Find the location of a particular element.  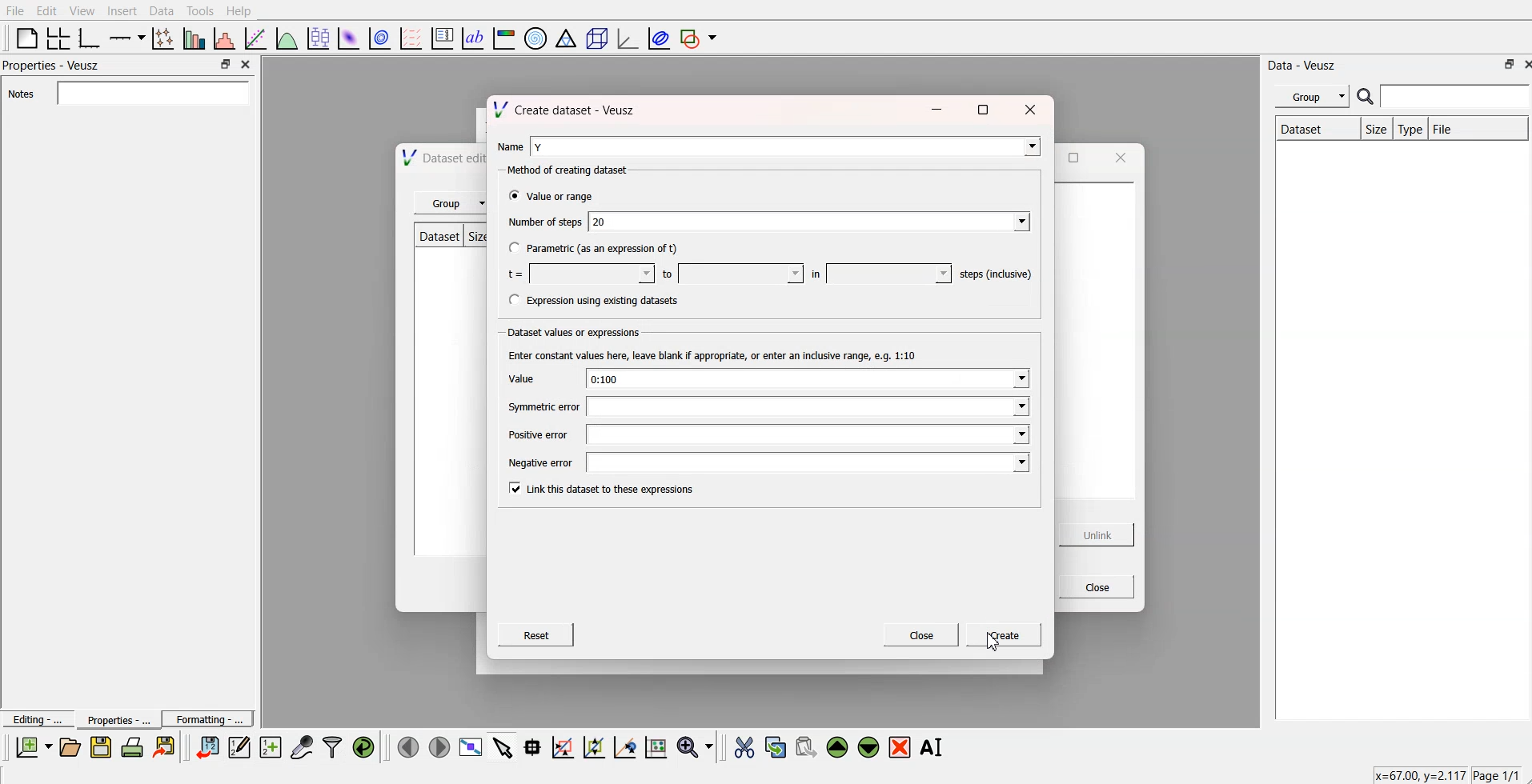

Enter constant values here, leave blank if appropriate, or enter an inclusive range, e.g. 1:10 is located at coordinates (708, 356).